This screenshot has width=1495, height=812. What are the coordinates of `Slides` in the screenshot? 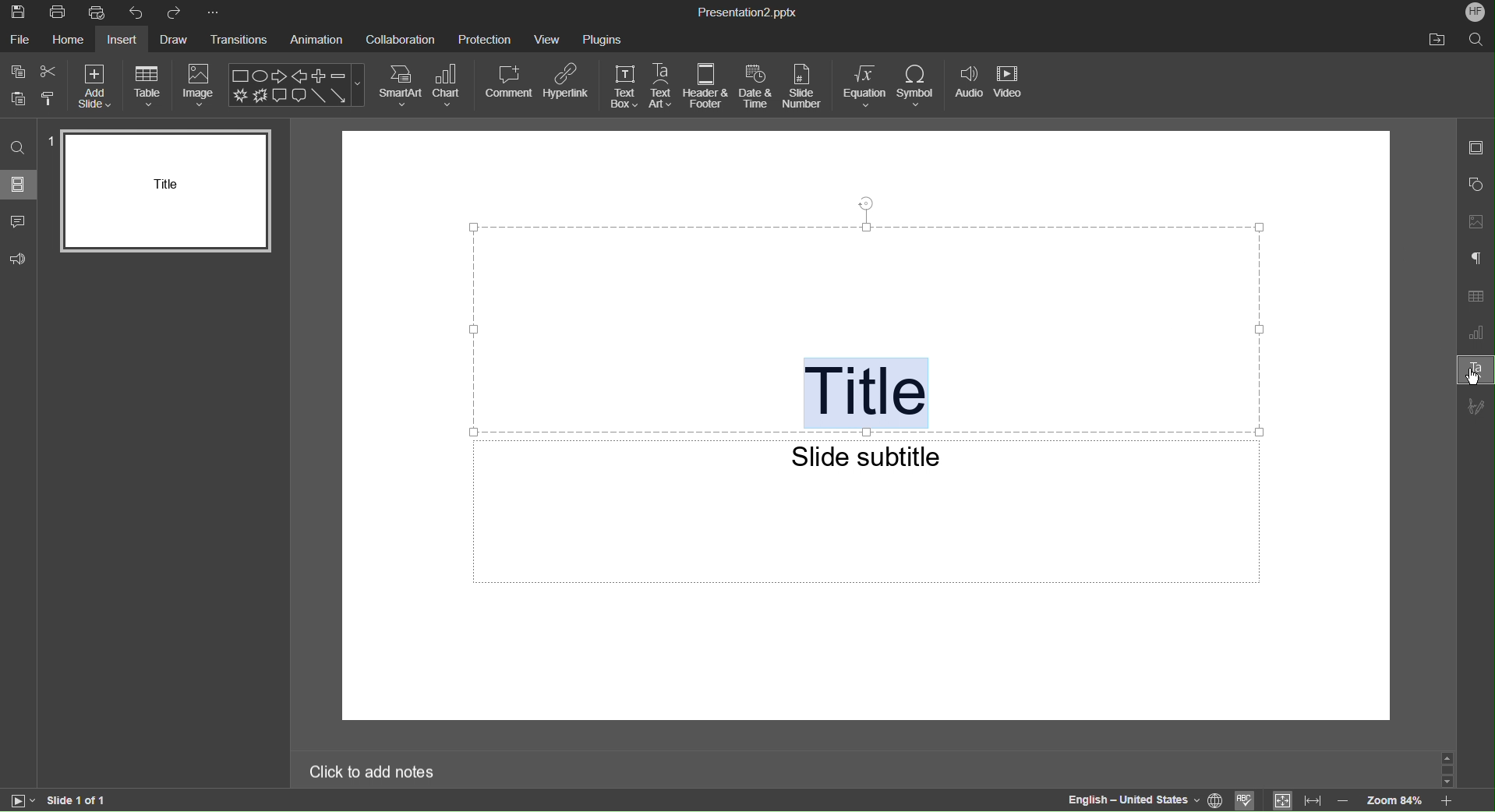 It's located at (20, 185).